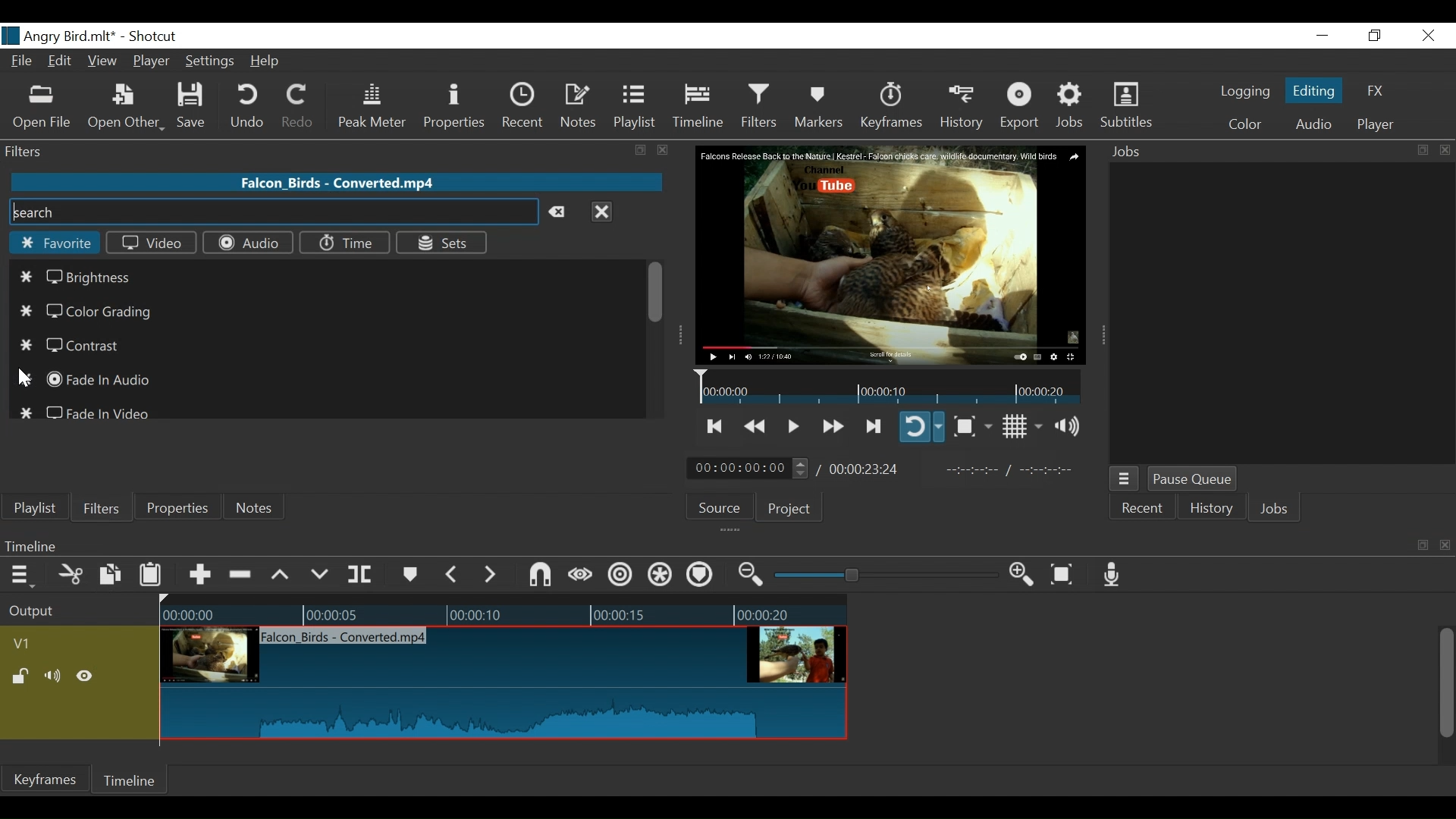 The image size is (1456, 819). I want to click on View as files, so click(278, 472).